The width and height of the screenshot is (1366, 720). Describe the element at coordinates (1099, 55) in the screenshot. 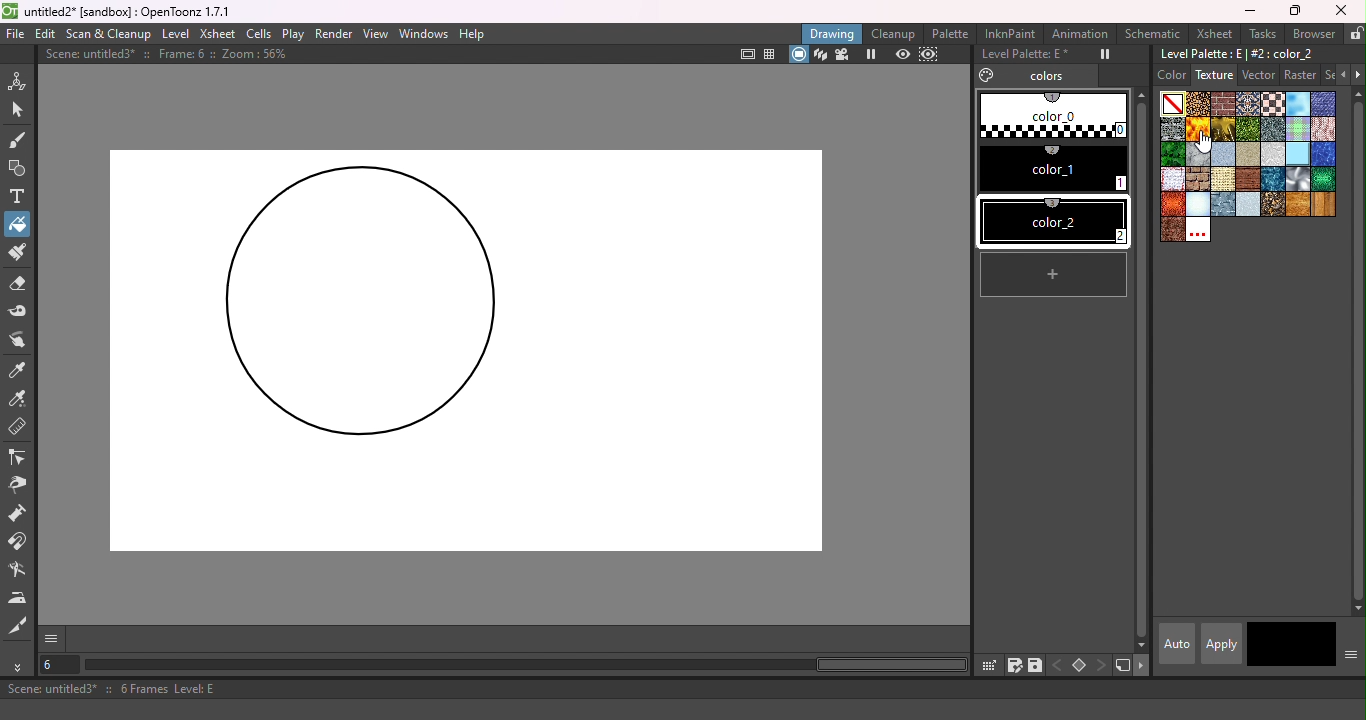

I see `Freeze` at that location.